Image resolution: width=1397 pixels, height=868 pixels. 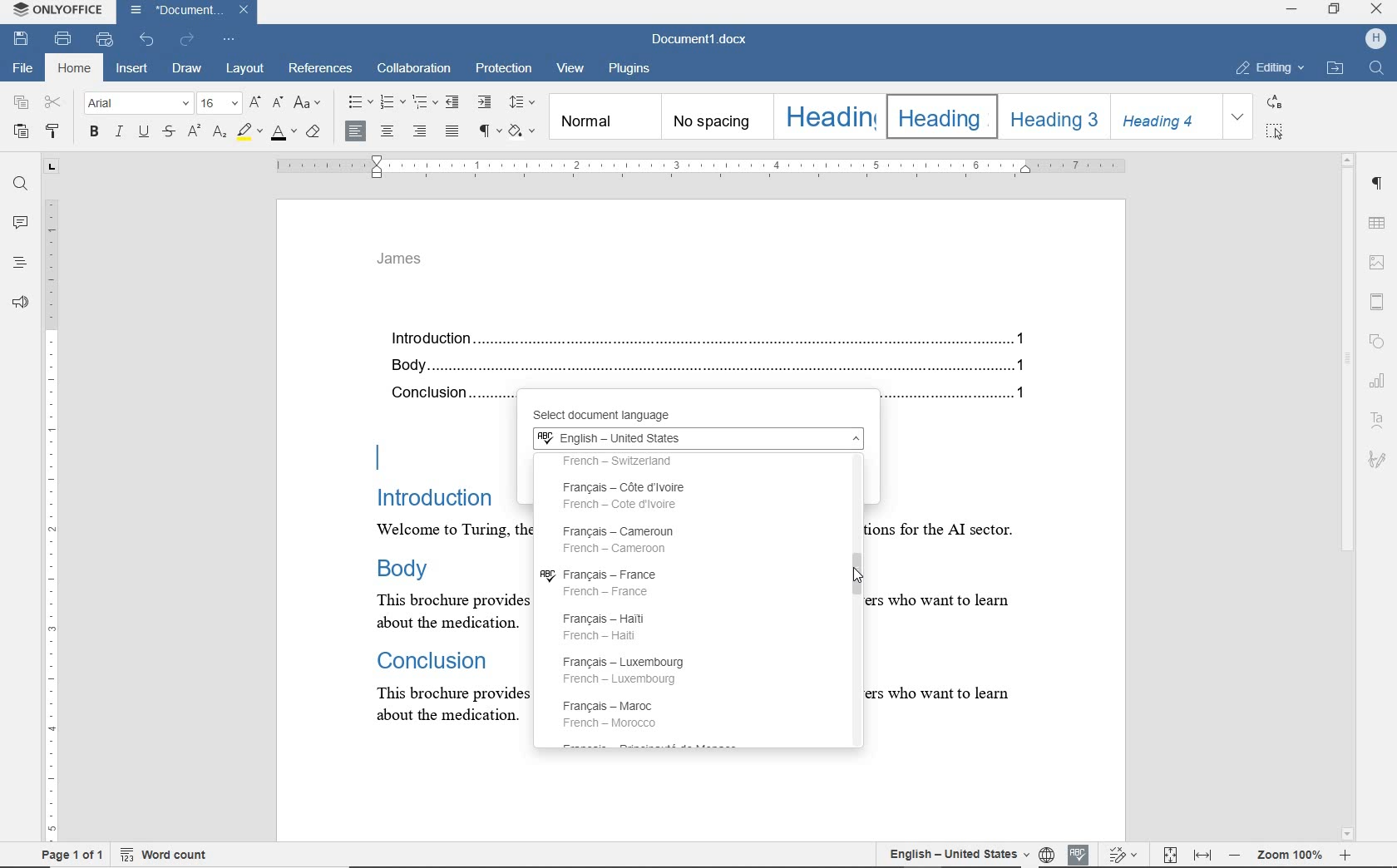 I want to click on mouse pointer, so click(x=861, y=579).